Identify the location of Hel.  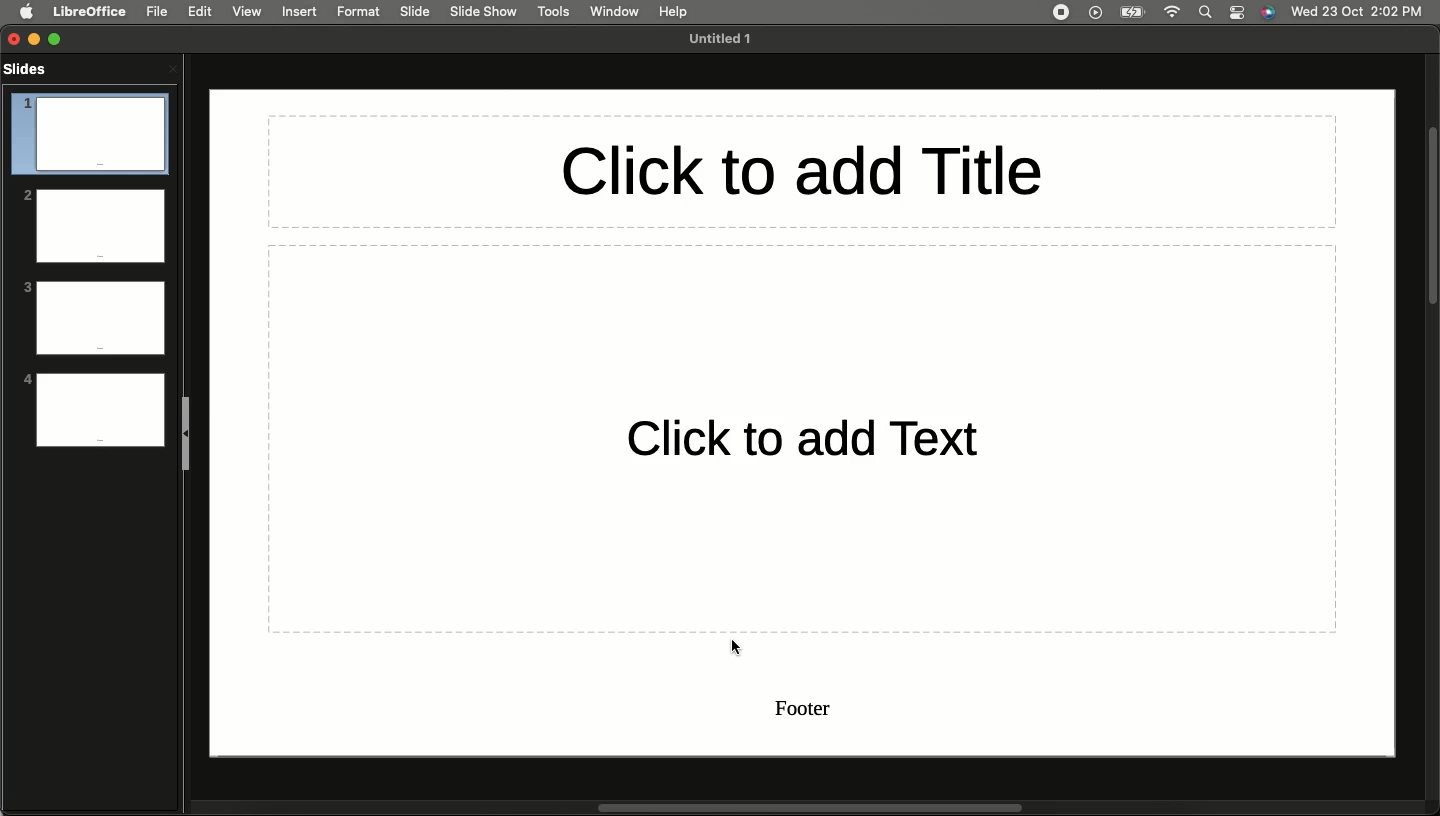
(674, 12).